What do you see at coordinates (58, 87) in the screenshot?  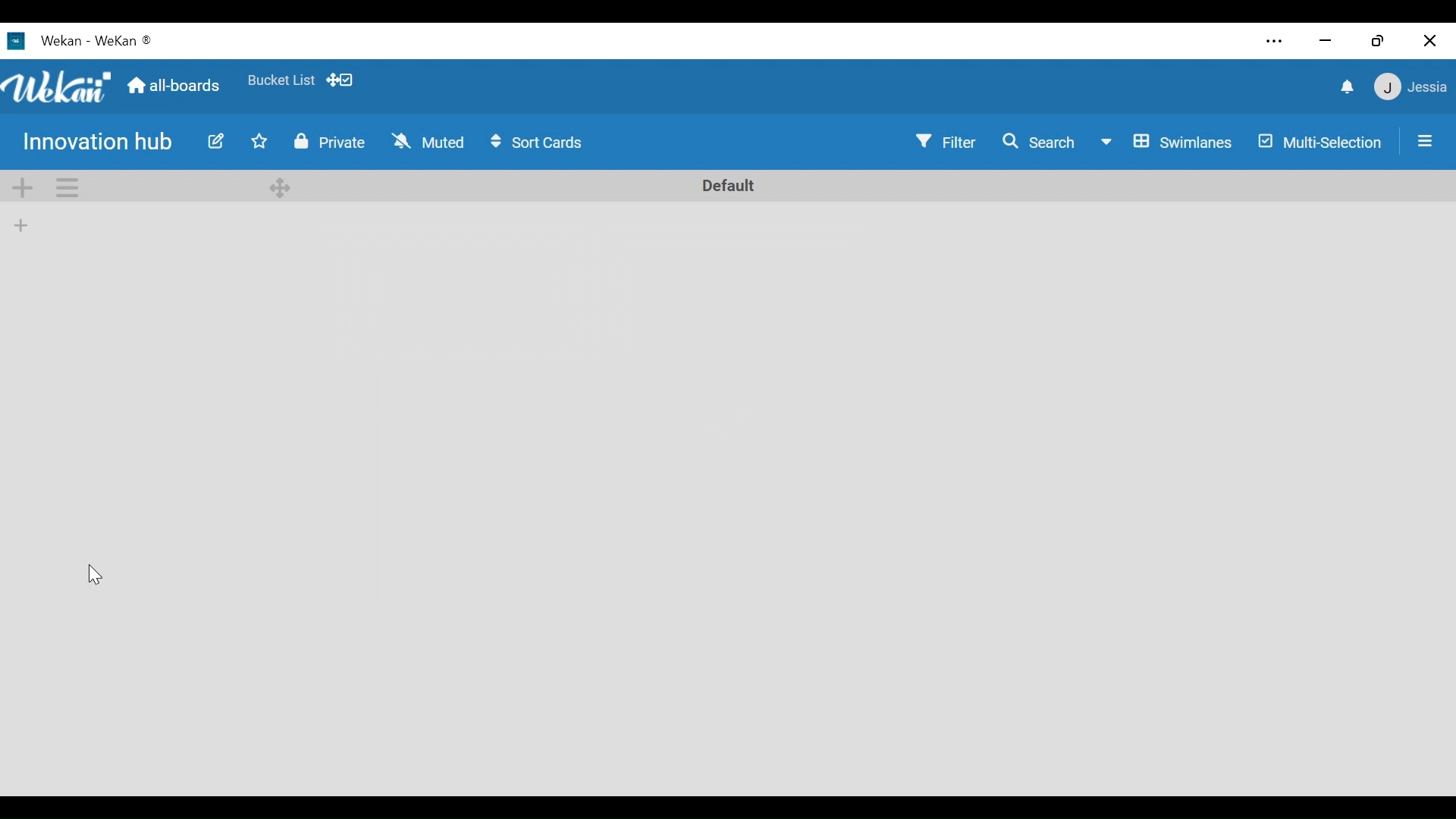 I see `Wekan  logo` at bounding box center [58, 87].